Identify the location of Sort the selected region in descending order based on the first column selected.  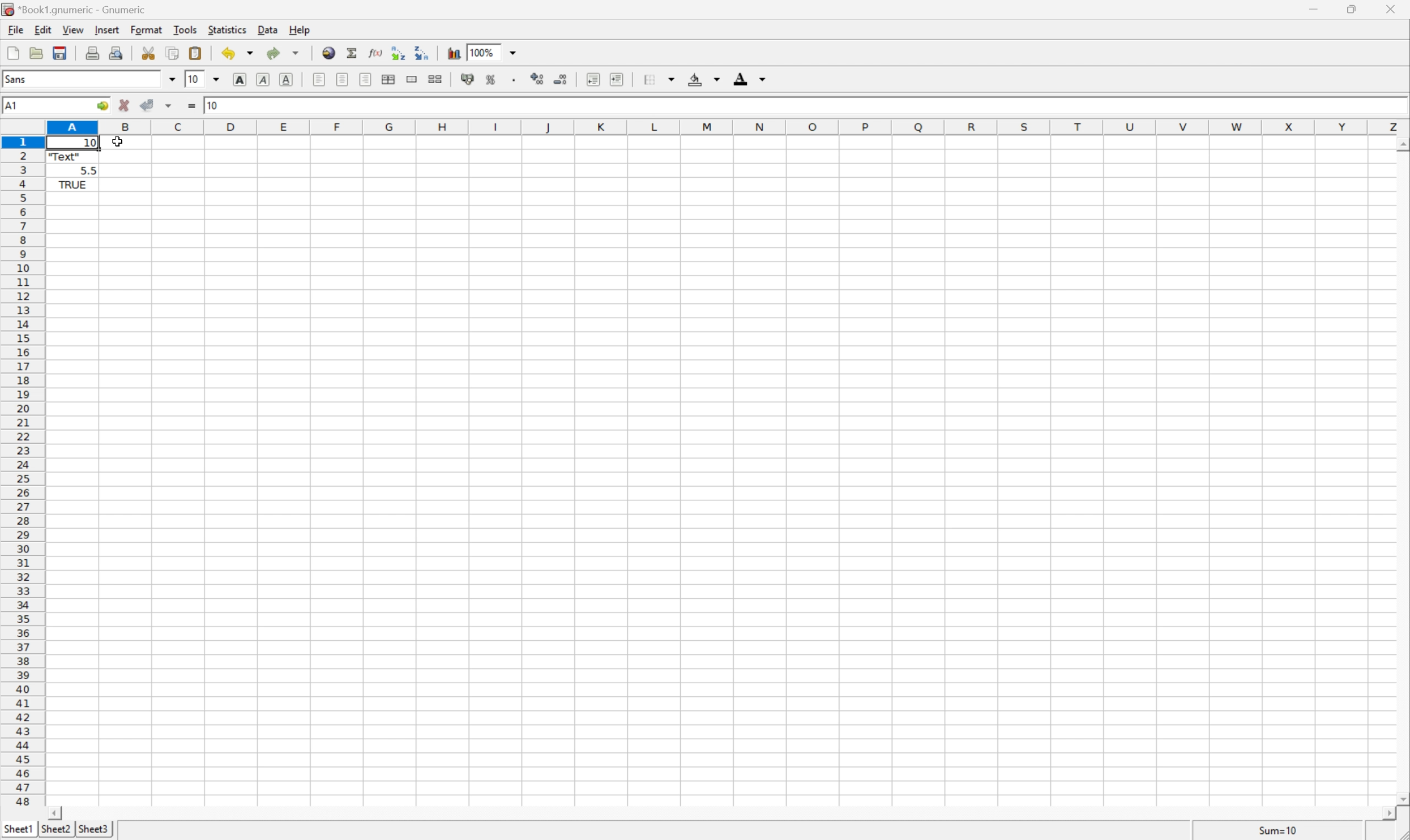
(399, 53).